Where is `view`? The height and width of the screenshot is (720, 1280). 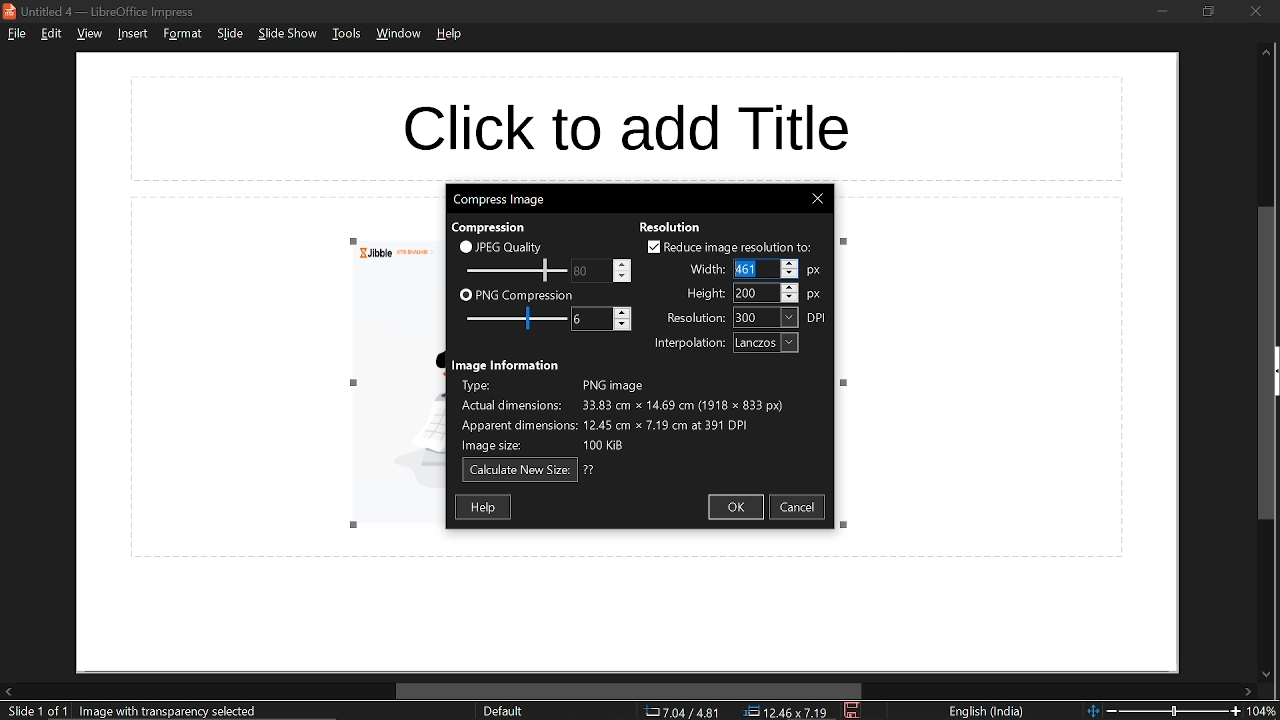 view is located at coordinates (88, 35).